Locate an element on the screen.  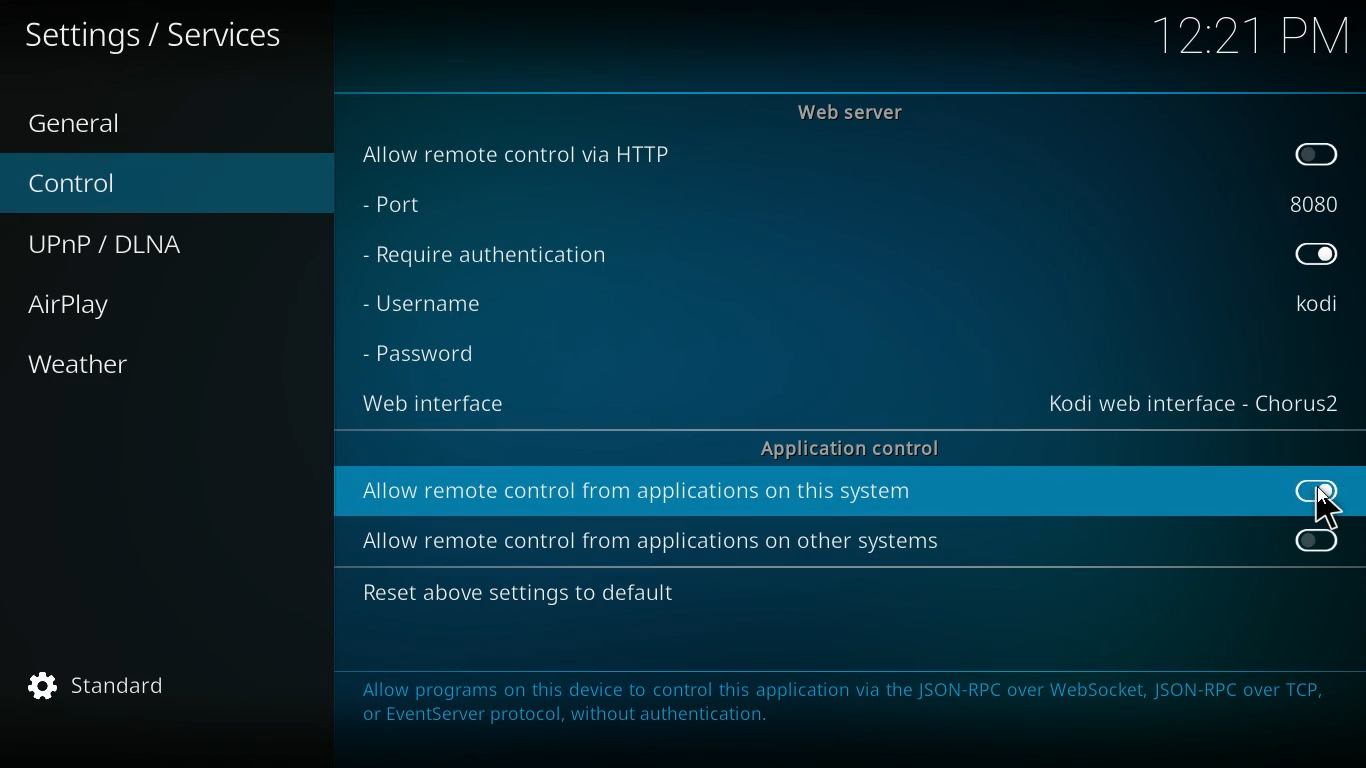
upnp / dlna is located at coordinates (161, 245).